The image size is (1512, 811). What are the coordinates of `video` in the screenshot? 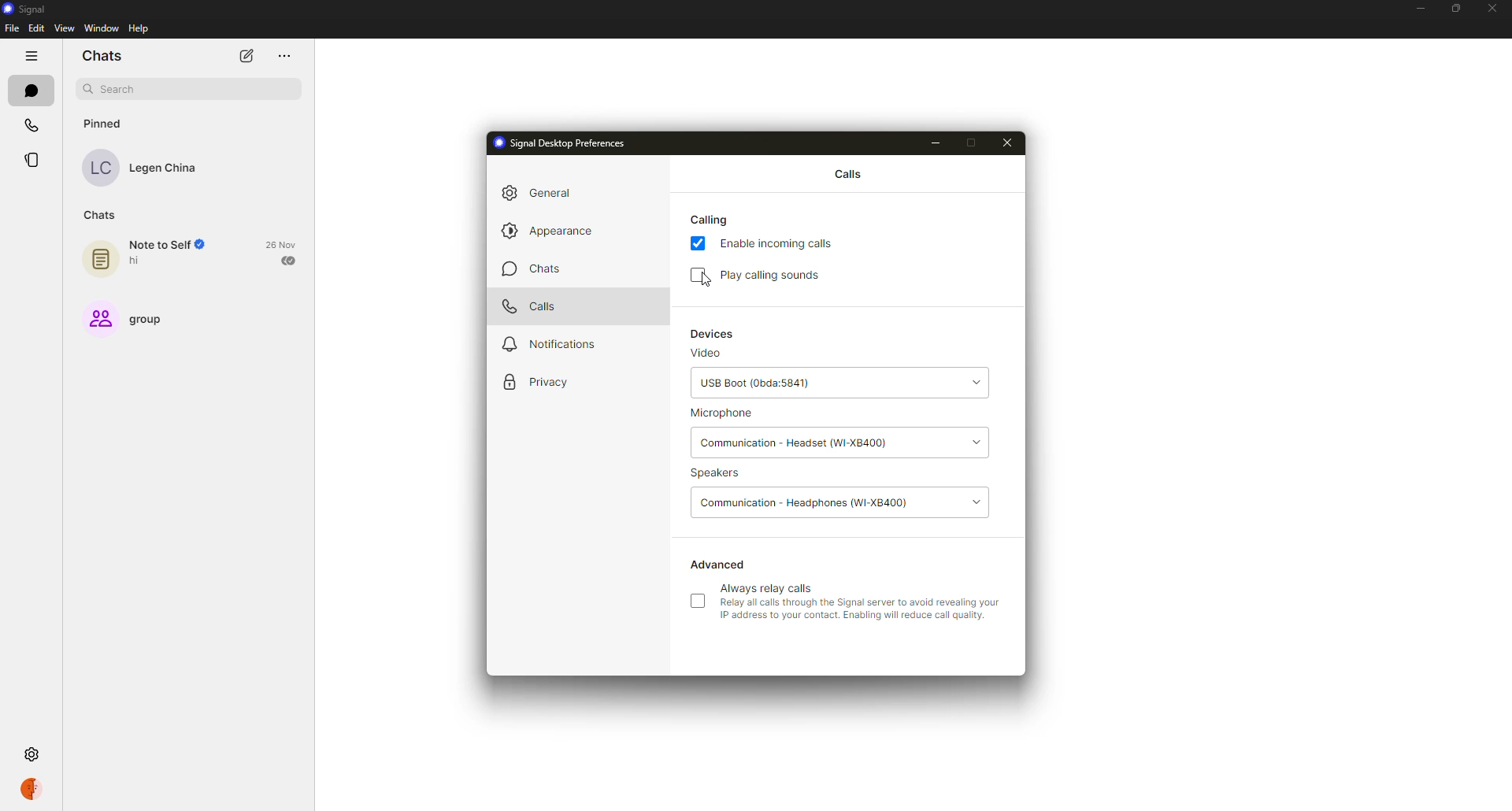 It's located at (707, 353).